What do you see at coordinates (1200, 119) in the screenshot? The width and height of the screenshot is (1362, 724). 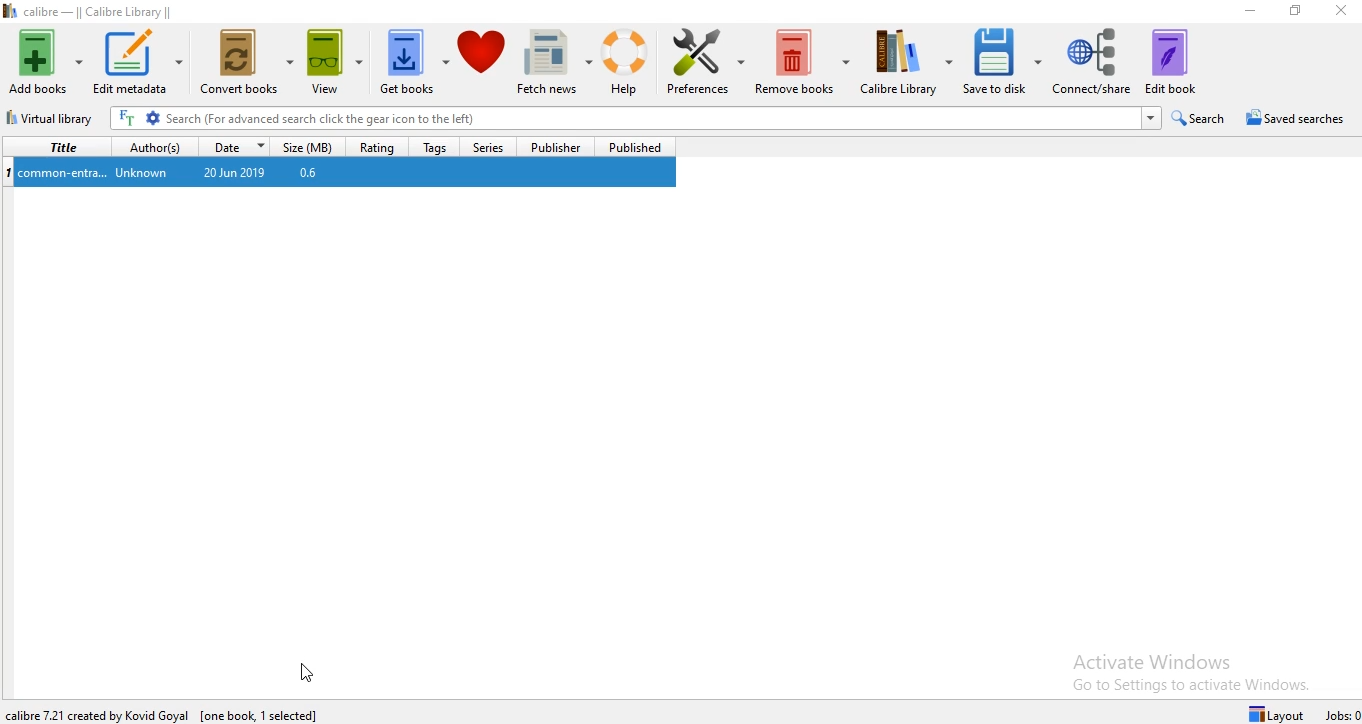 I see `Search` at bounding box center [1200, 119].